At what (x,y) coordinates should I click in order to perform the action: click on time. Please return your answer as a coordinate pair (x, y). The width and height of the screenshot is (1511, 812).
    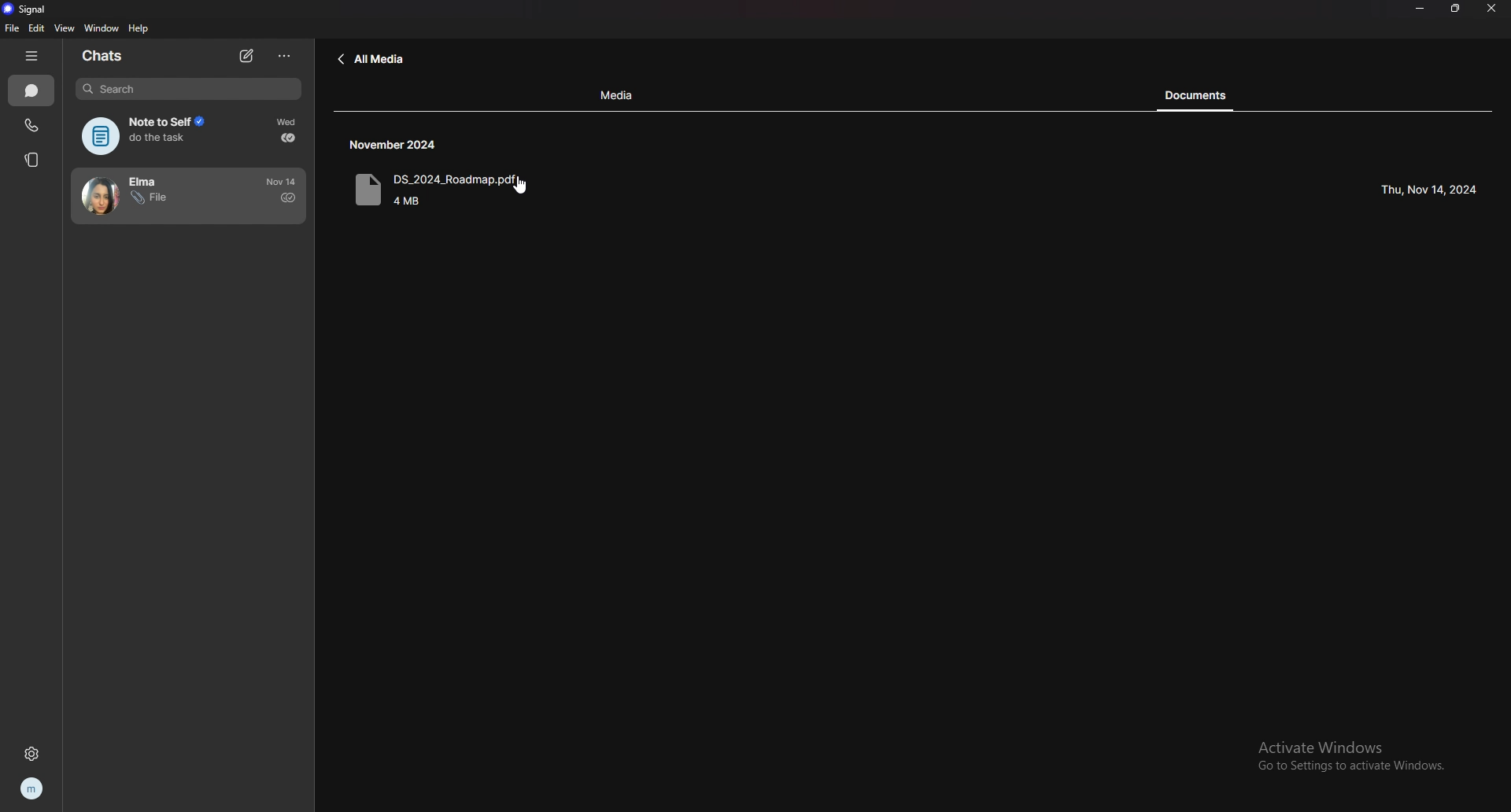
    Looking at the image, I should click on (1428, 190).